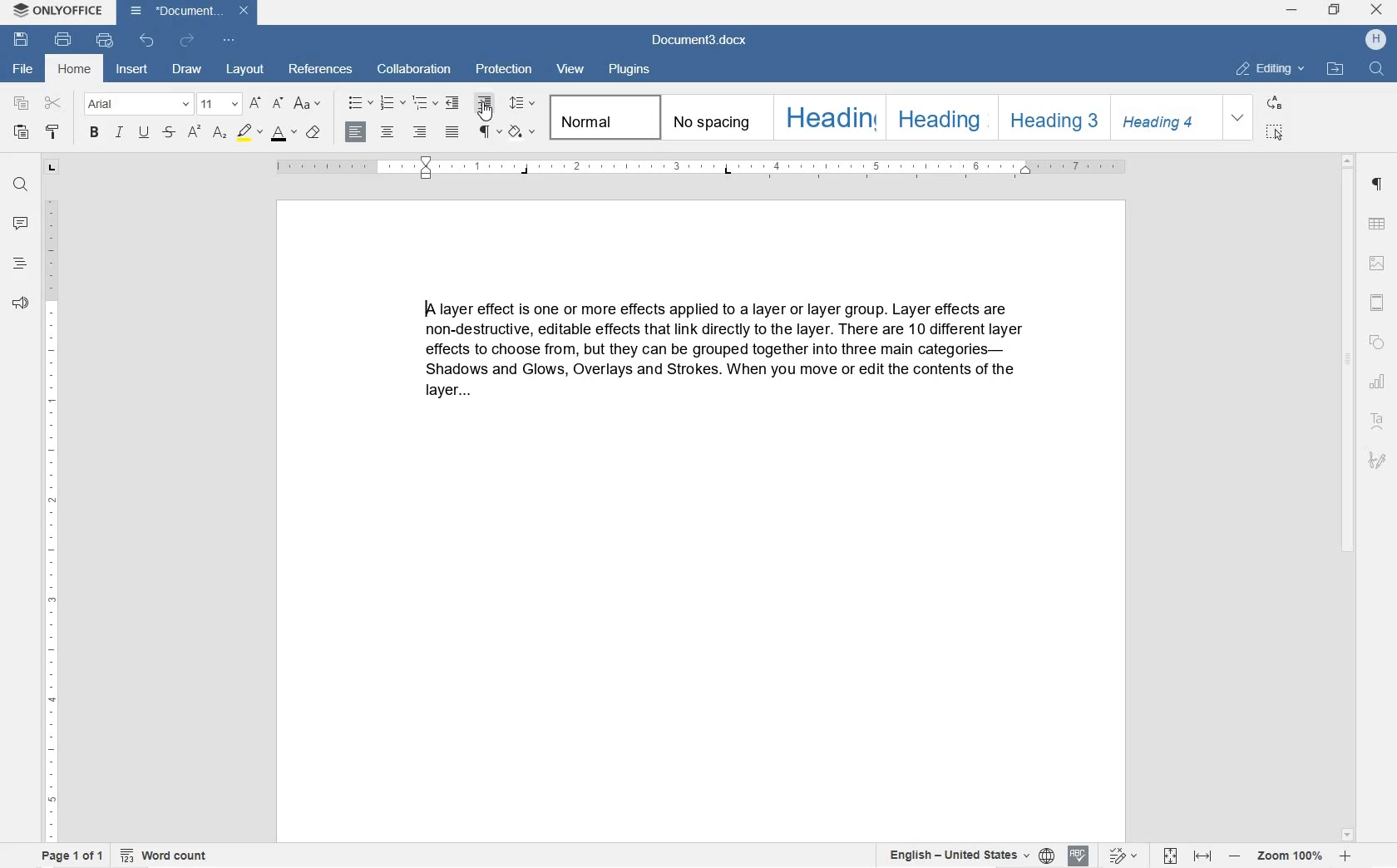 Image resolution: width=1397 pixels, height=868 pixels. Describe the element at coordinates (187, 13) in the screenshot. I see `Document3.docx` at that location.